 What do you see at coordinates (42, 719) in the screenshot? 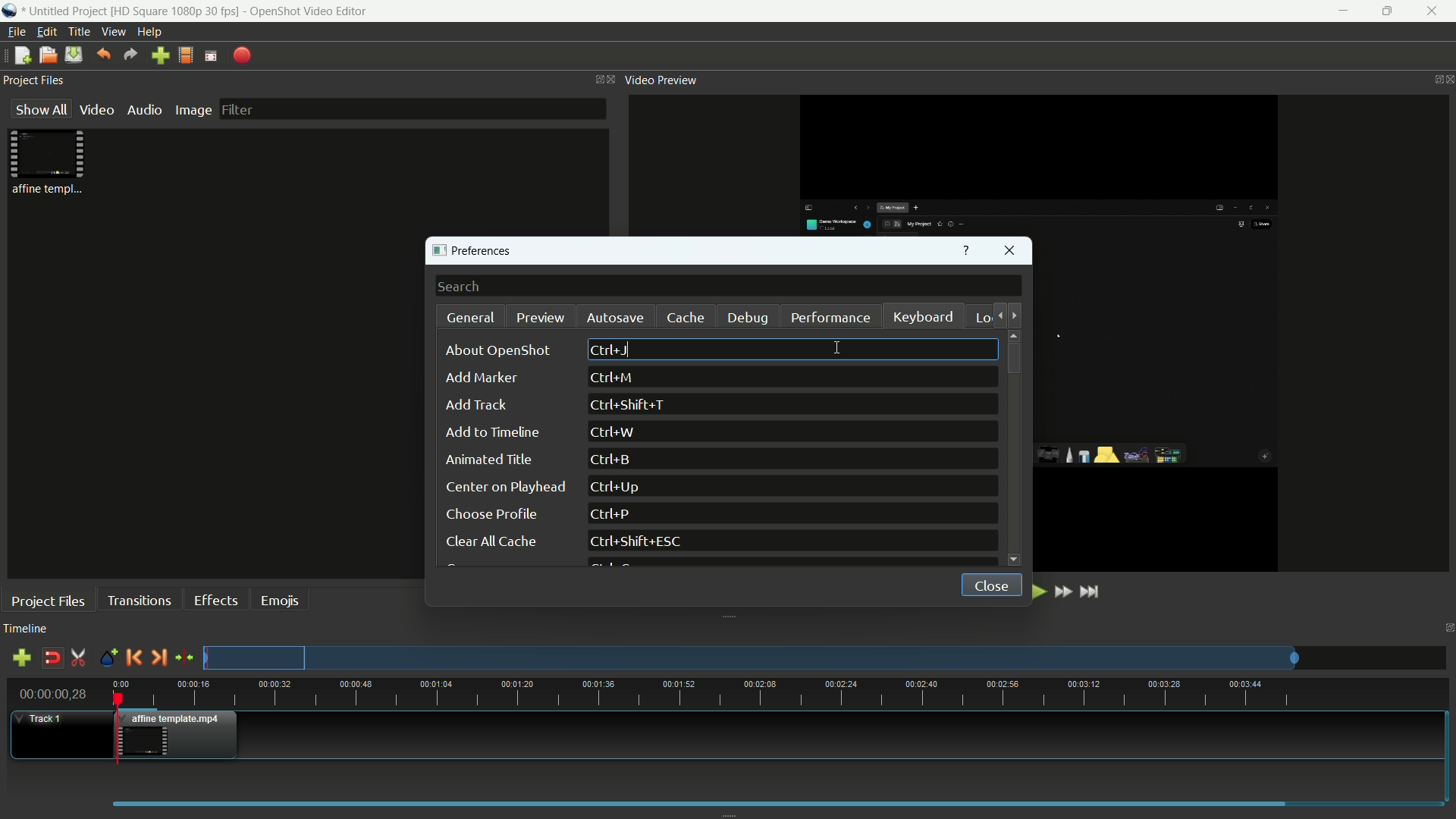
I see `track 1` at bounding box center [42, 719].